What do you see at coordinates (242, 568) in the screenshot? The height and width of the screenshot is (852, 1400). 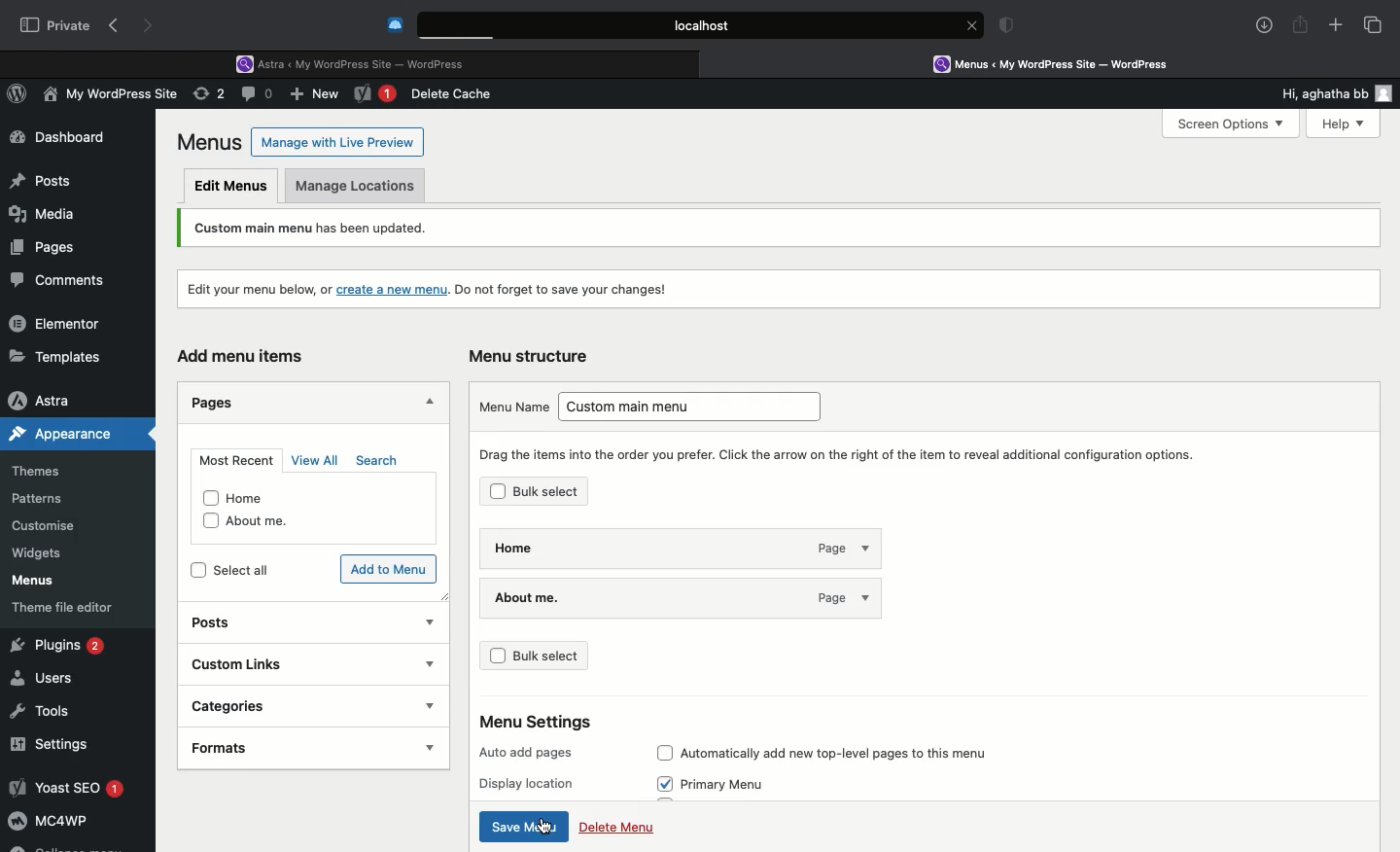 I see `Select all ` at bounding box center [242, 568].